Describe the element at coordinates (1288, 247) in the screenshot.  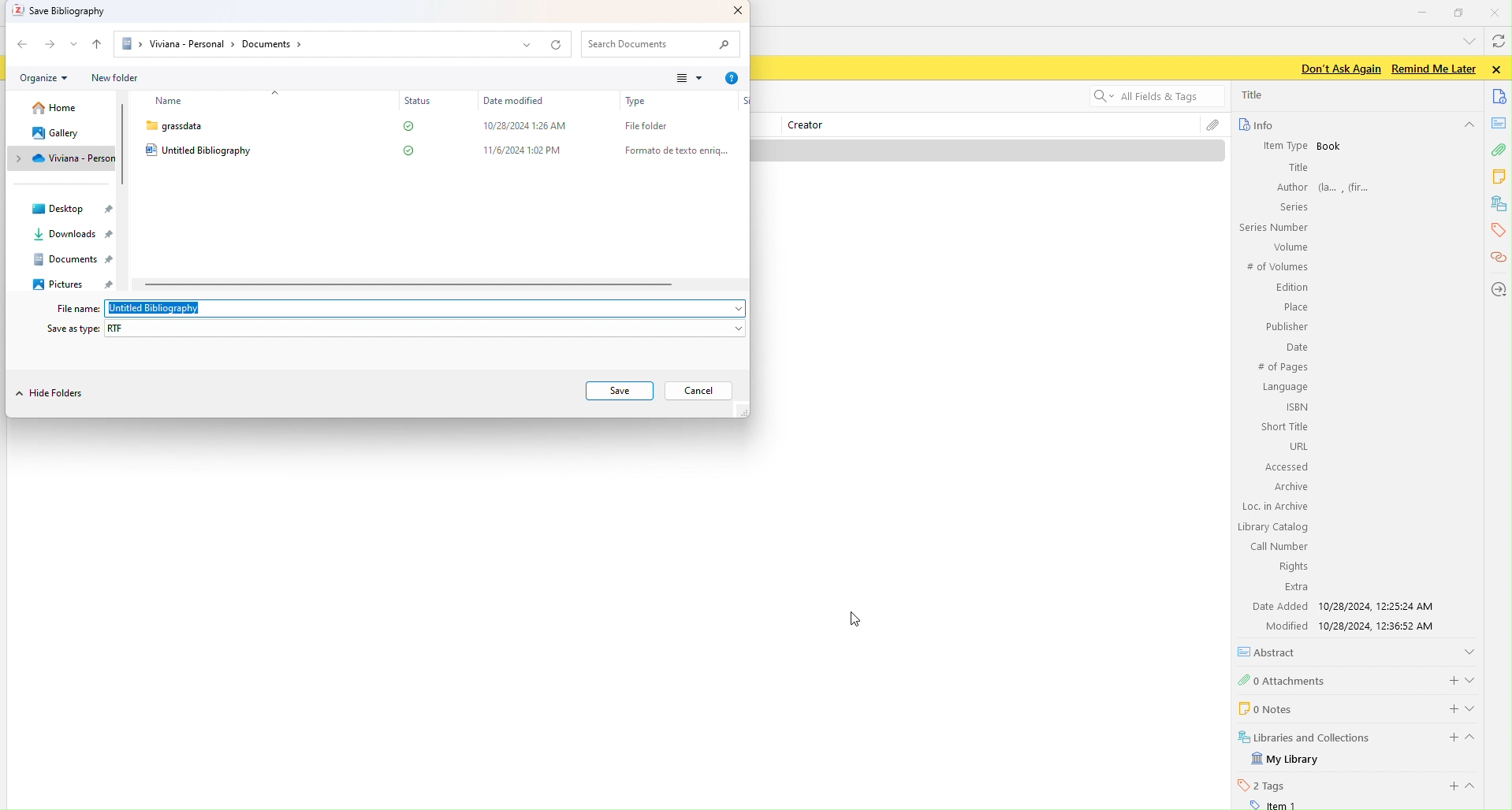
I see `‘Volume` at that location.